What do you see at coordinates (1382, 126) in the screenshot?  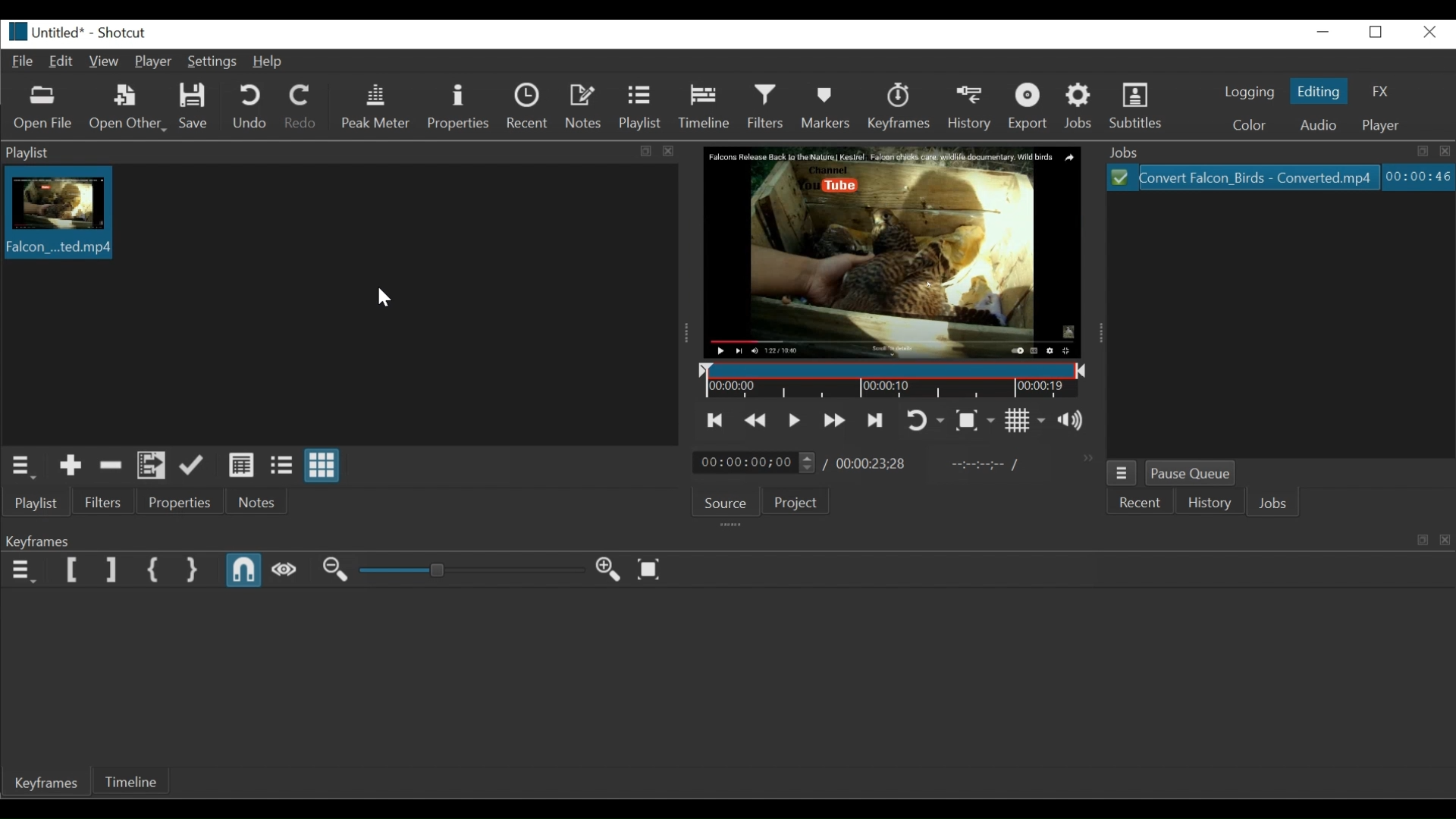 I see `Player` at bounding box center [1382, 126].